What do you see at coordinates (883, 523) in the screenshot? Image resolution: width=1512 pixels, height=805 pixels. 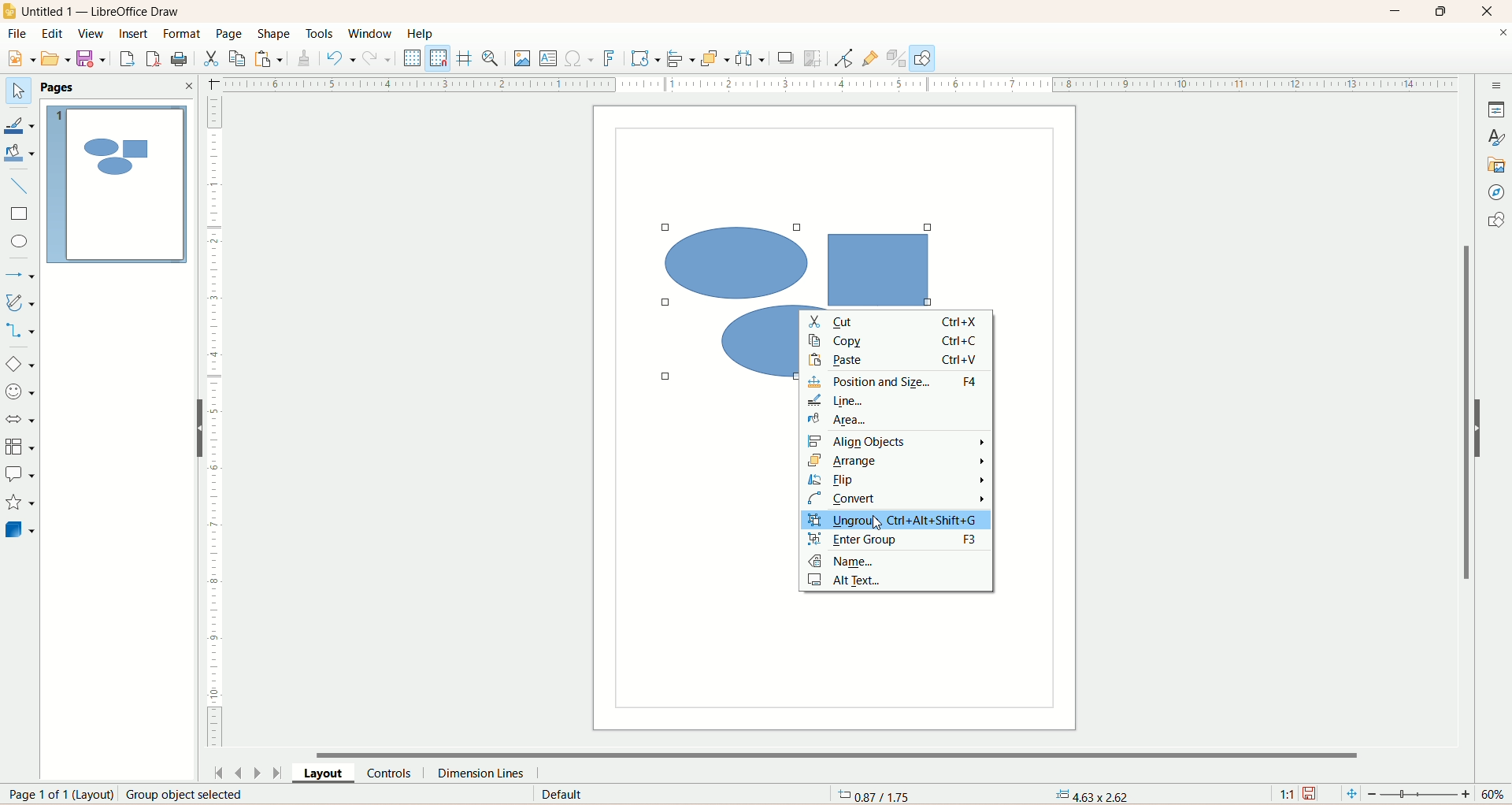 I see `cursor` at bounding box center [883, 523].